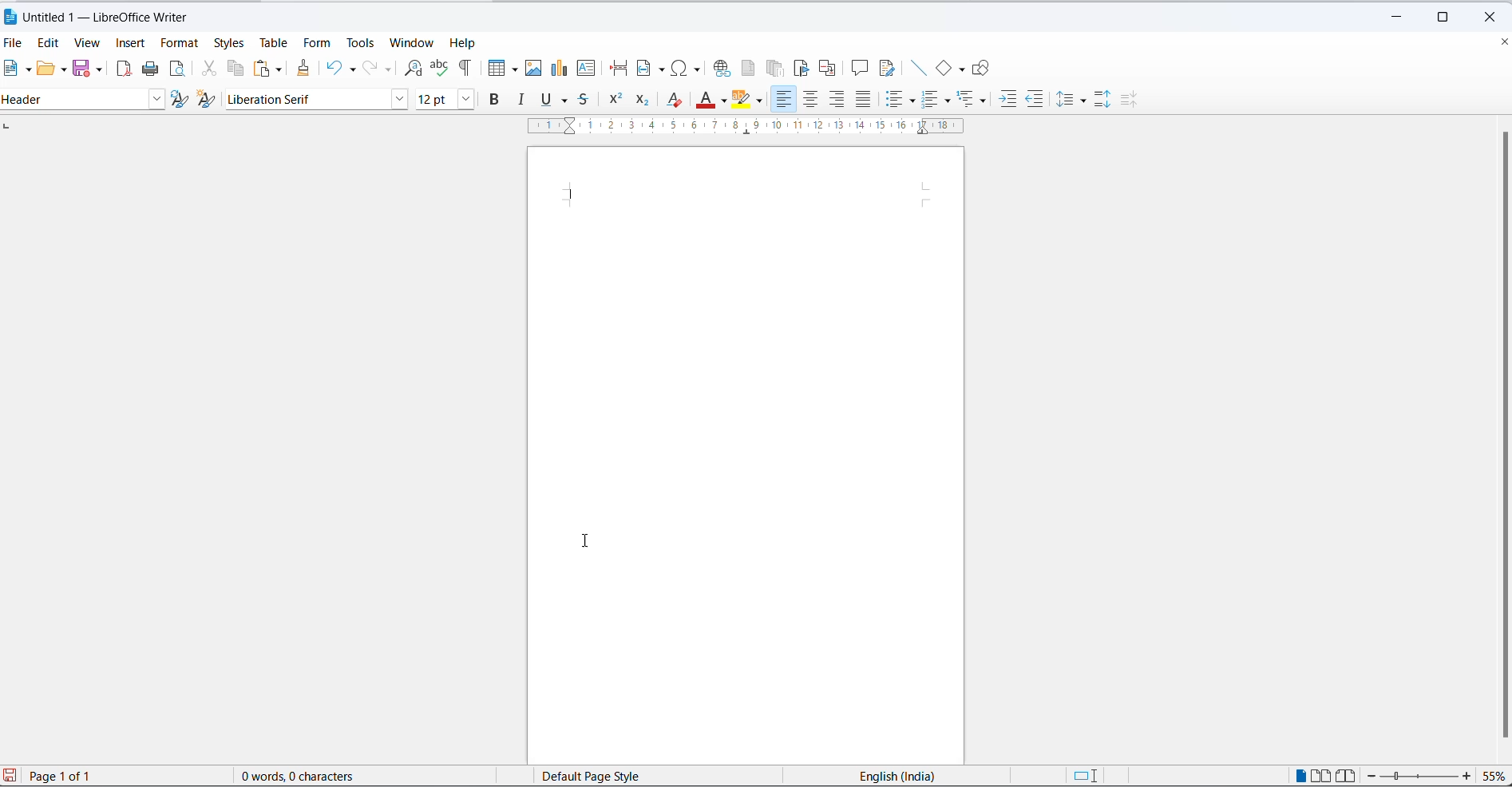  Describe the element at coordinates (389, 69) in the screenshot. I see `redo options` at that location.